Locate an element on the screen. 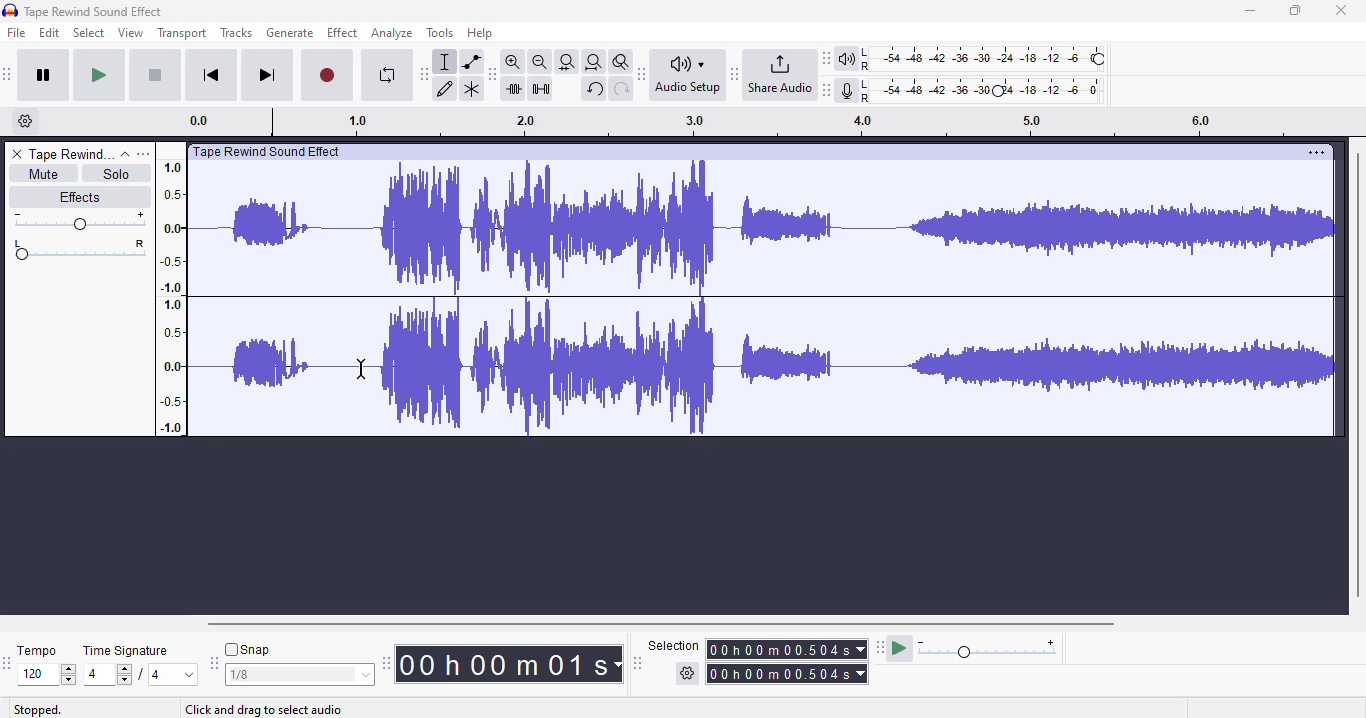 This screenshot has width=1366, height=718. tools is located at coordinates (440, 32).